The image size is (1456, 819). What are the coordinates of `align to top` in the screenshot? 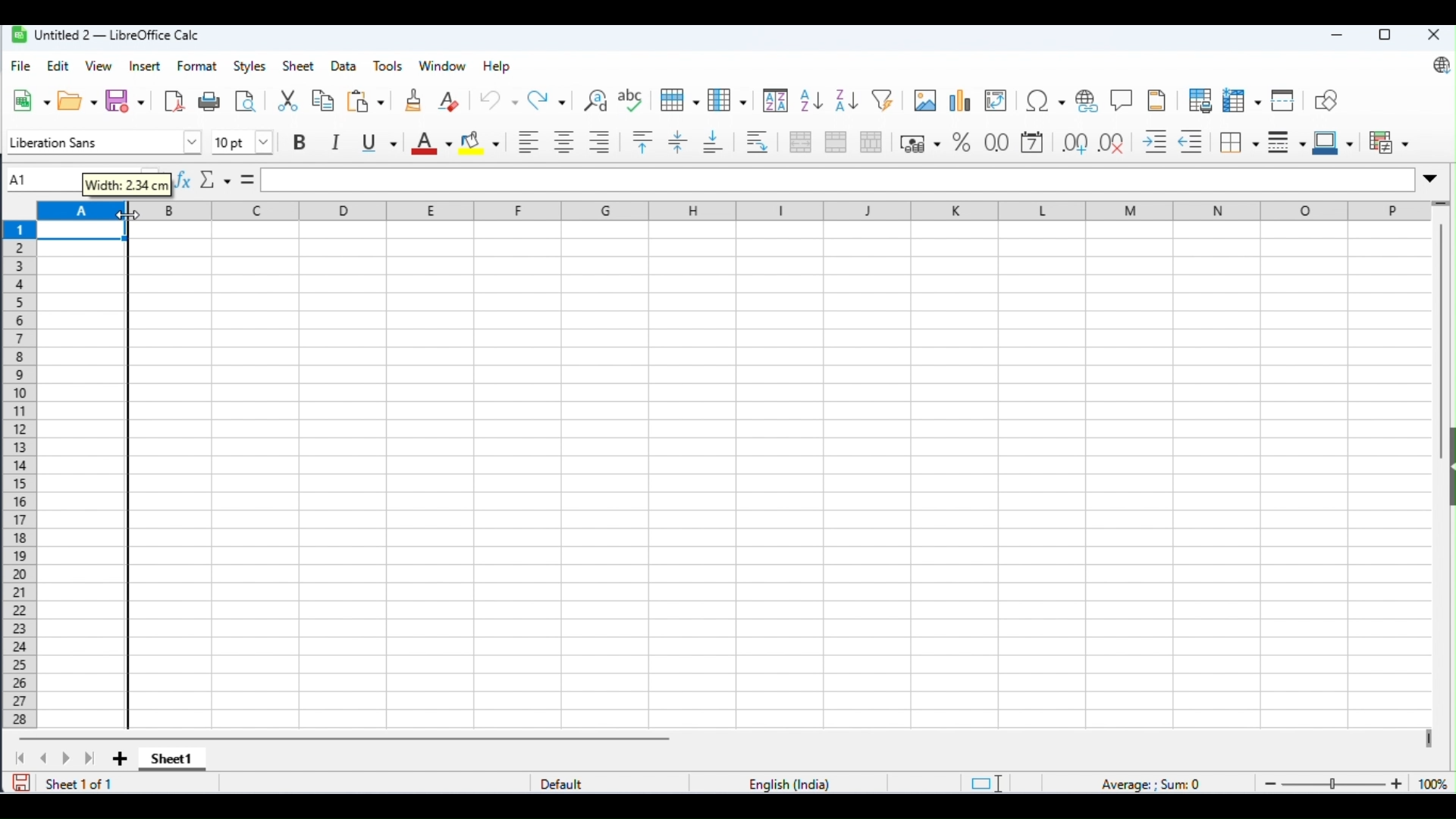 It's located at (643, 142).